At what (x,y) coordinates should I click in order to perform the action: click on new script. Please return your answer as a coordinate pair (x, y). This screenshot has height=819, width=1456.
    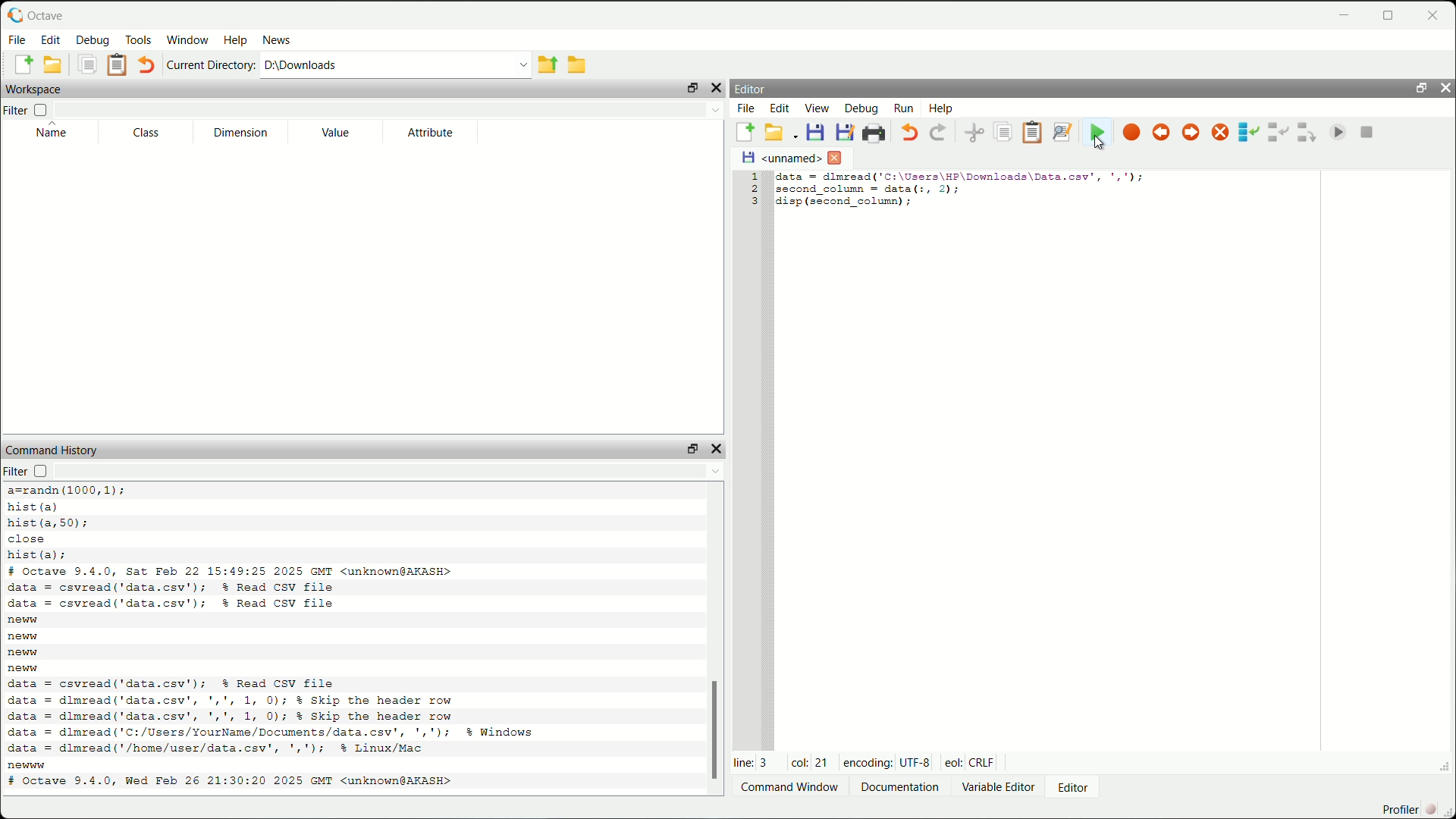
    Looking at the image, I should click on (20, 64).